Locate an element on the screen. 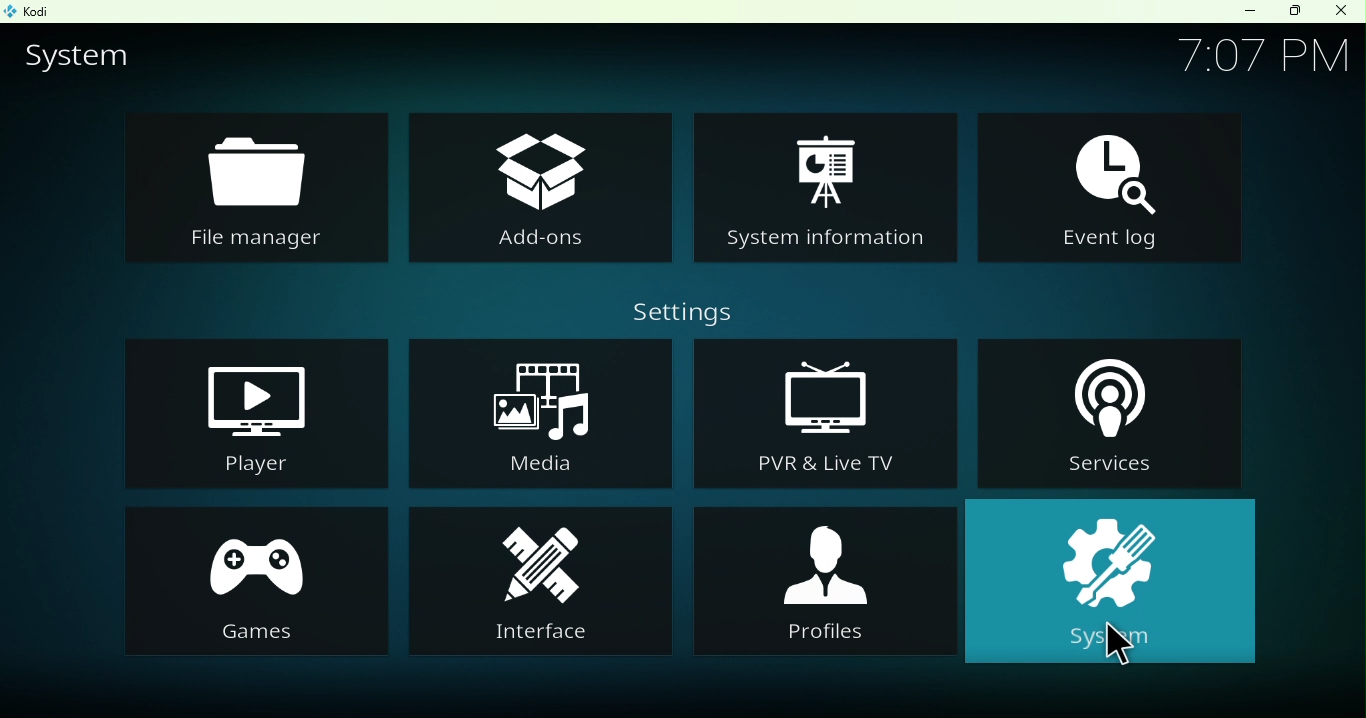  Kodi icon is located at coordinates (32, 11).